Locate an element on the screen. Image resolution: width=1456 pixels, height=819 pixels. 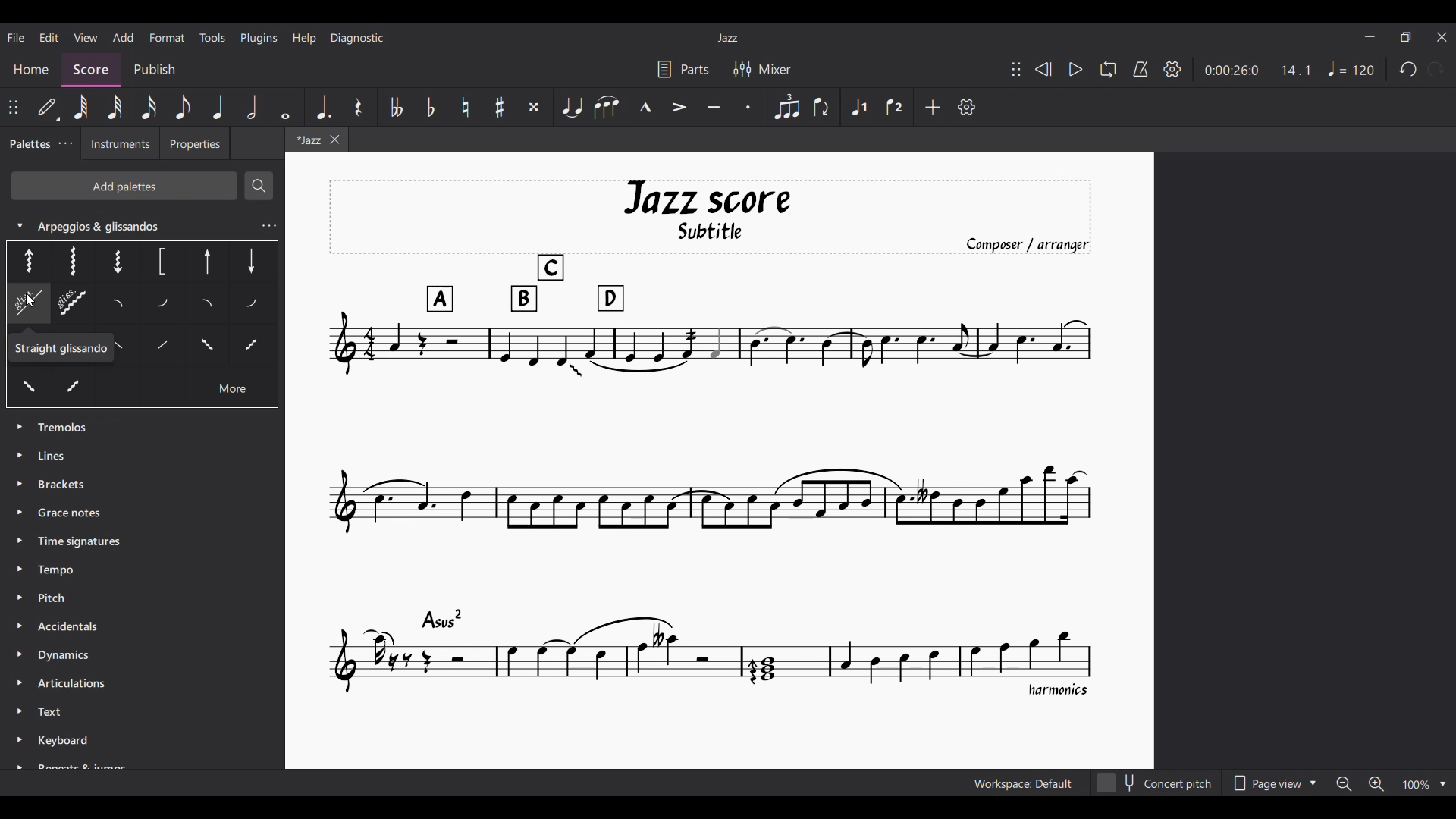
Palate 13 is located at coordinates (253, 303).